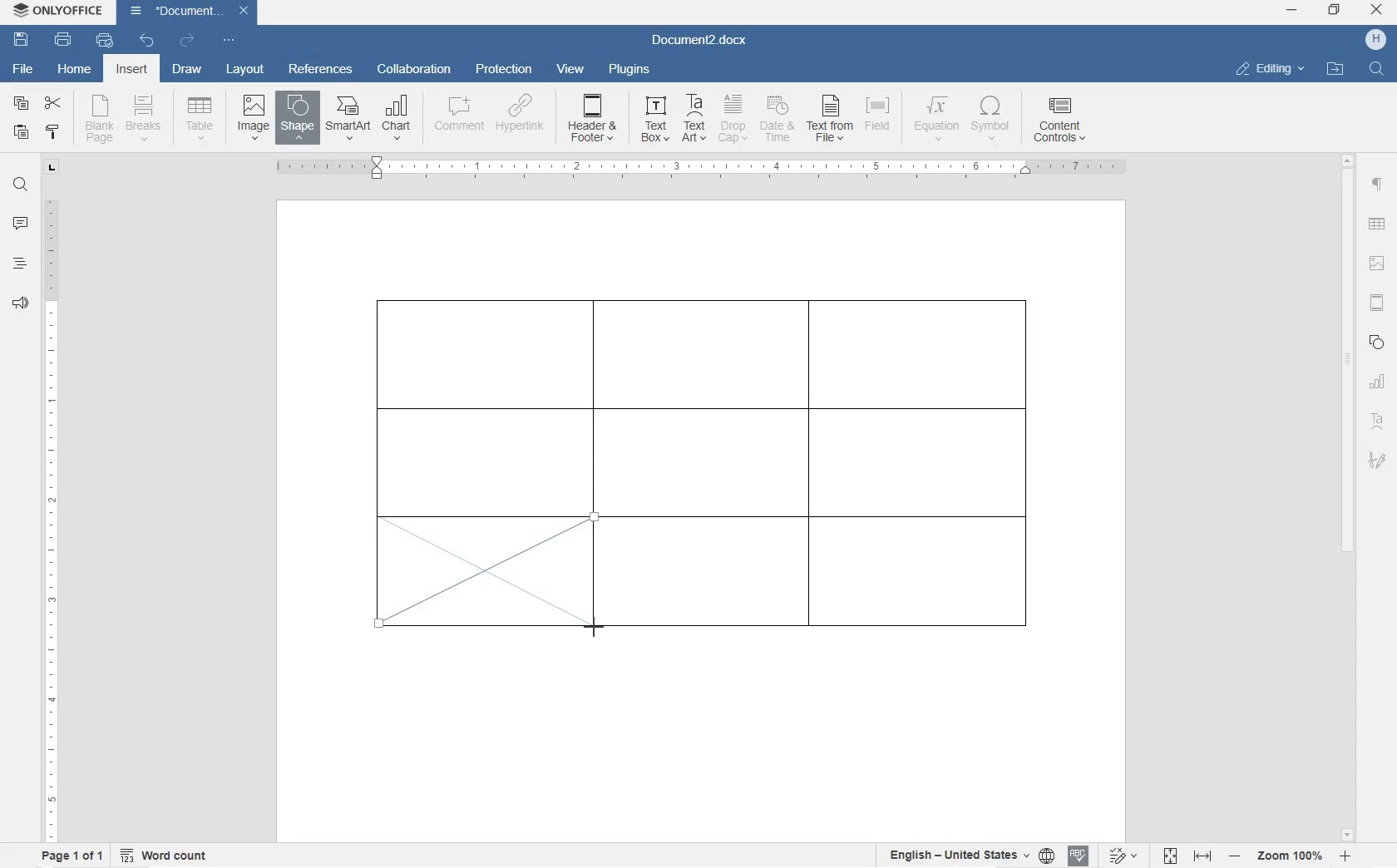  Describe the element at coordinates (320, 69) in the screenshot. I see `references` at that location.